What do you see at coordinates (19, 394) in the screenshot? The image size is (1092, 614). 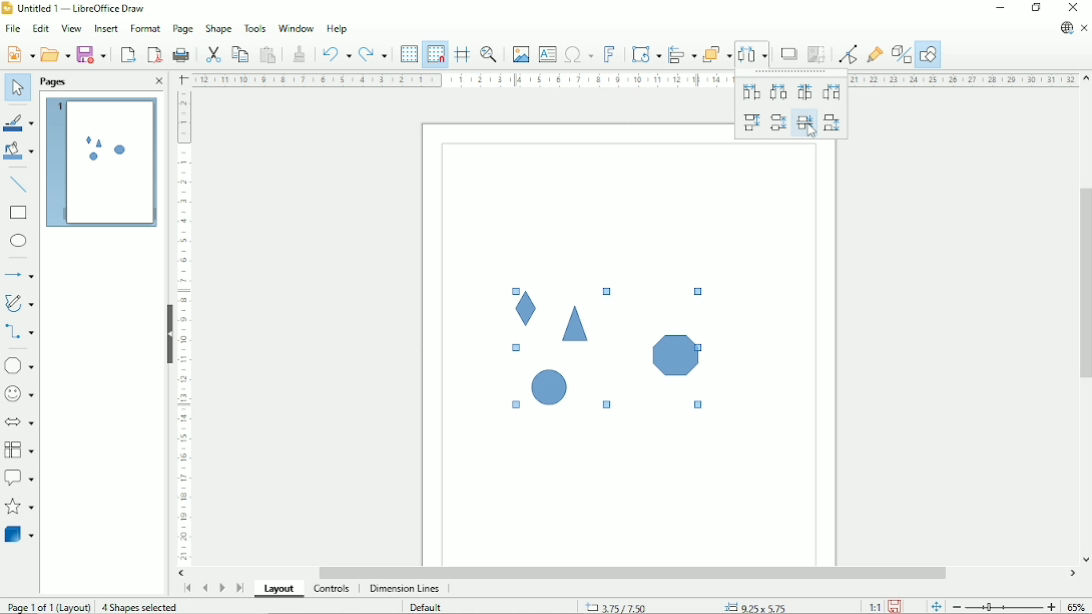 I see `Symbol shapes` at bounding box center [19, 394].